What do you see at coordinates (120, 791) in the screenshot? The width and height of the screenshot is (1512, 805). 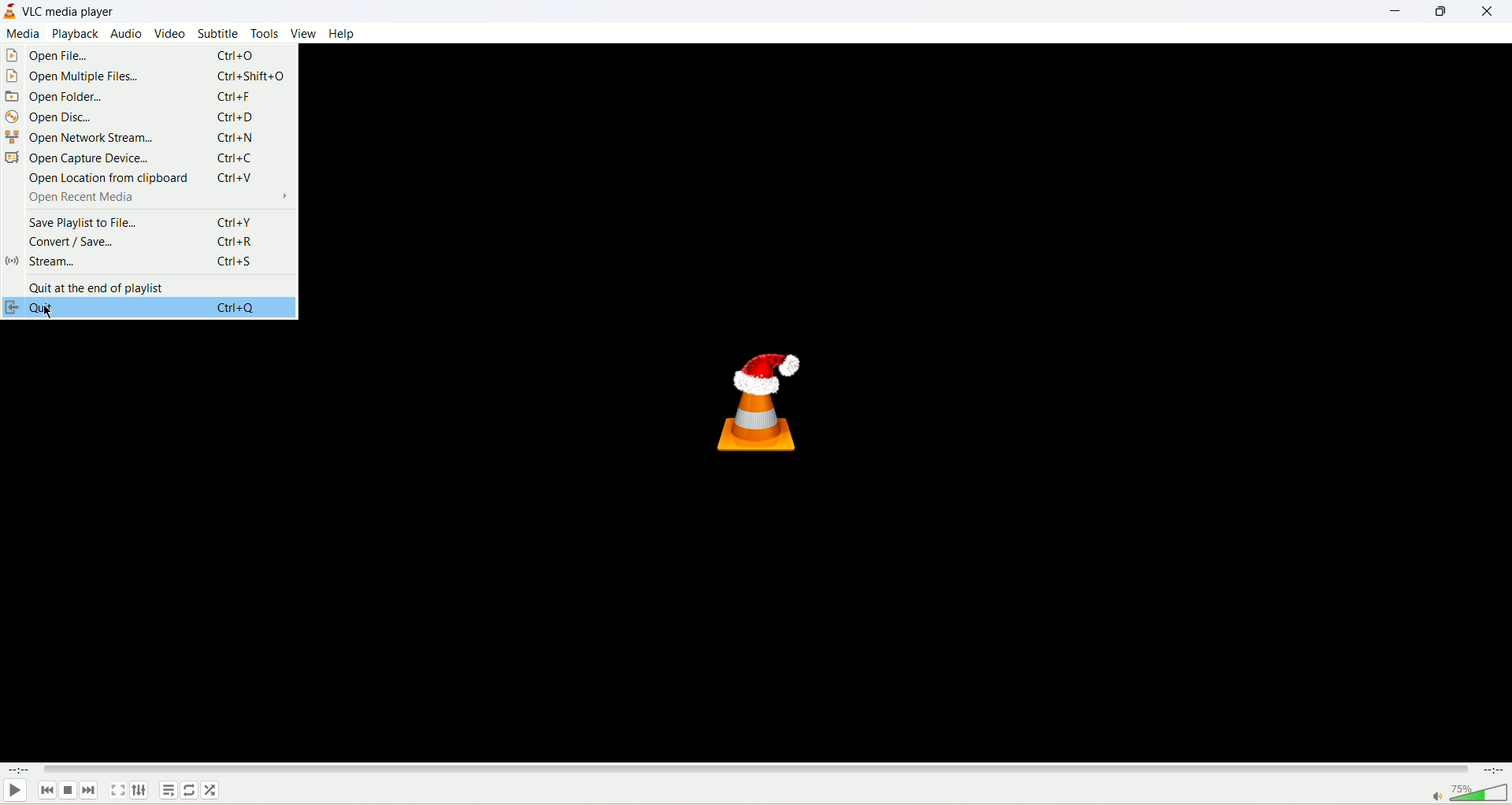 I see `toggle video fullscreen` at bounding box center [120, 791].